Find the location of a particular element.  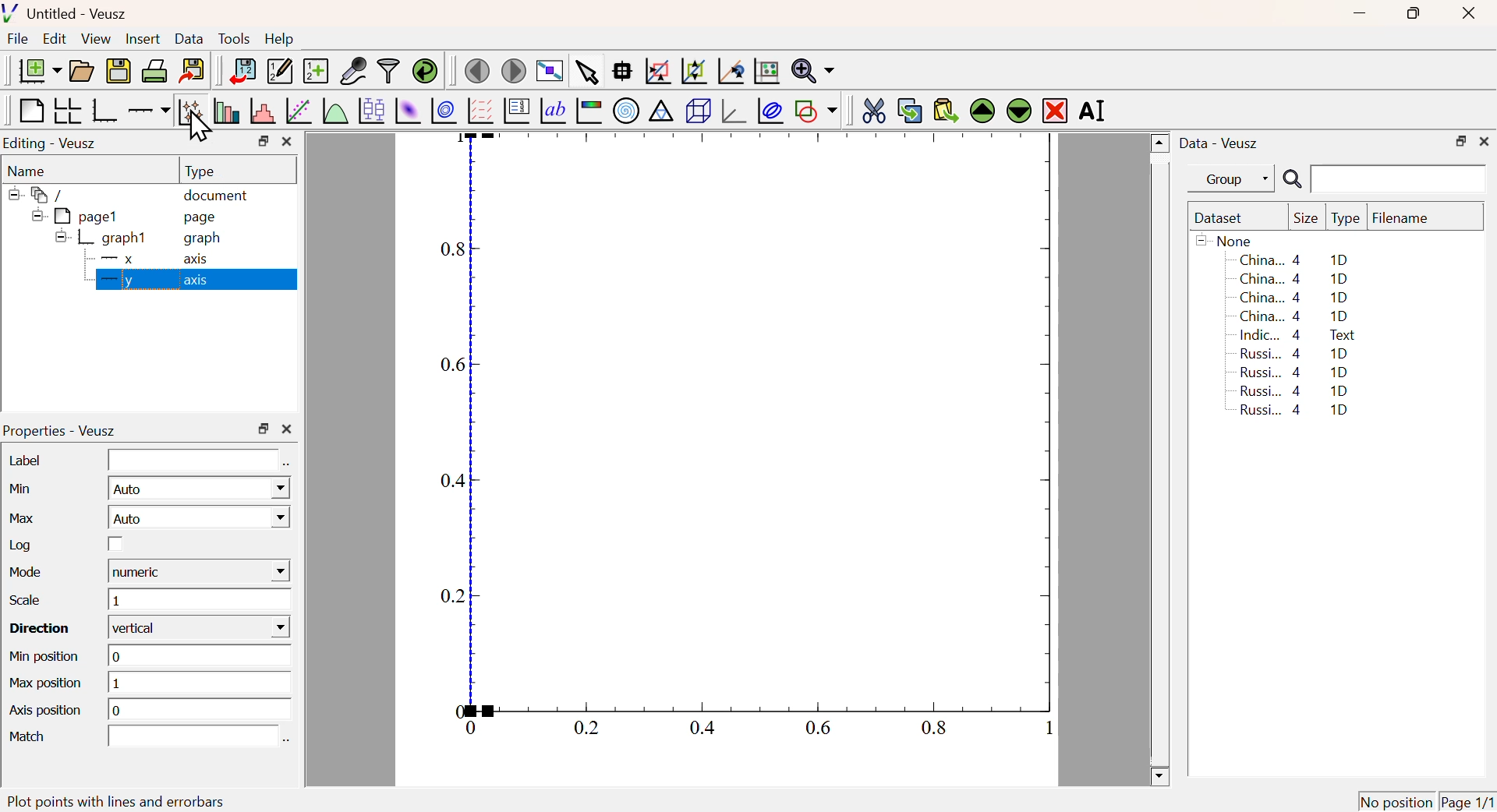

Auto is located at coordinates (199, 489).